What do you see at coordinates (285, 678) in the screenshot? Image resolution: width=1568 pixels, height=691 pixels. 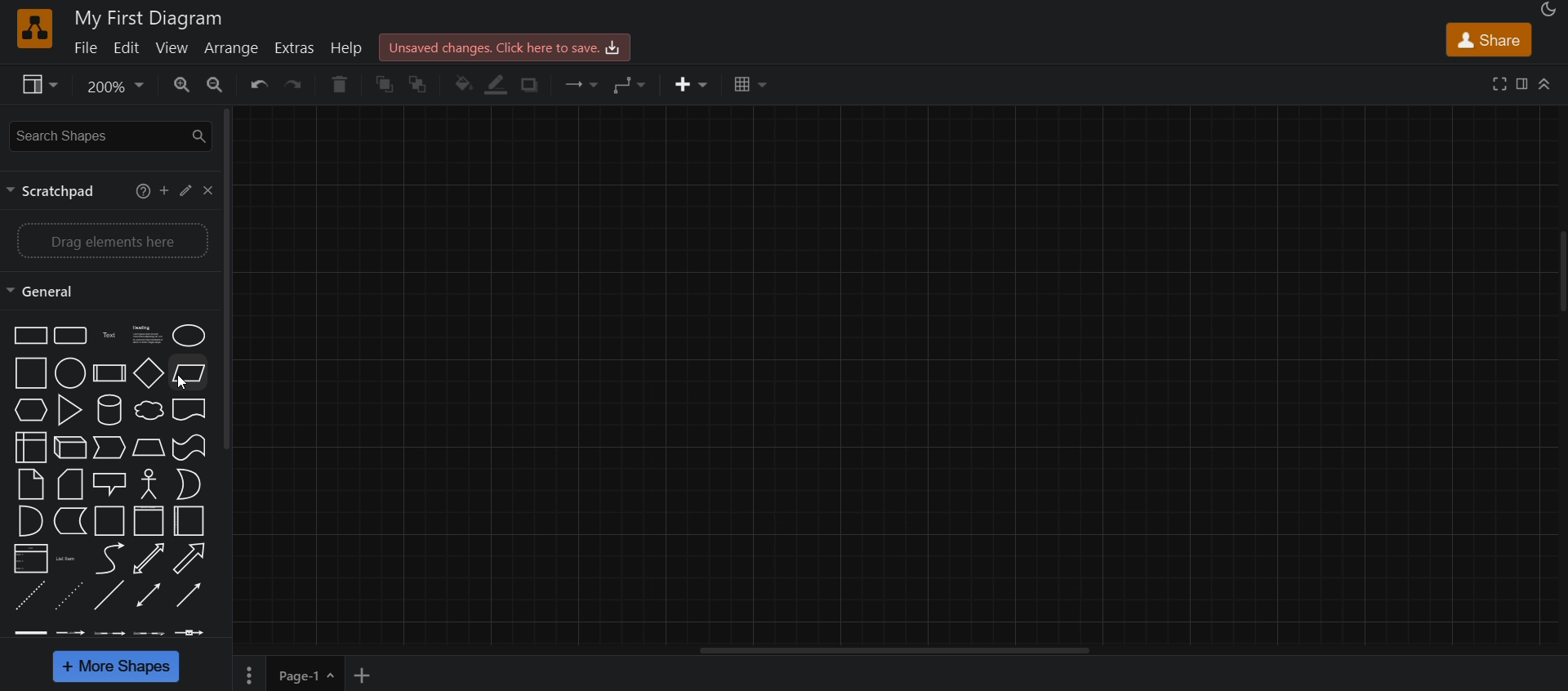 I see `page 1` at bounding box center [285, 678].